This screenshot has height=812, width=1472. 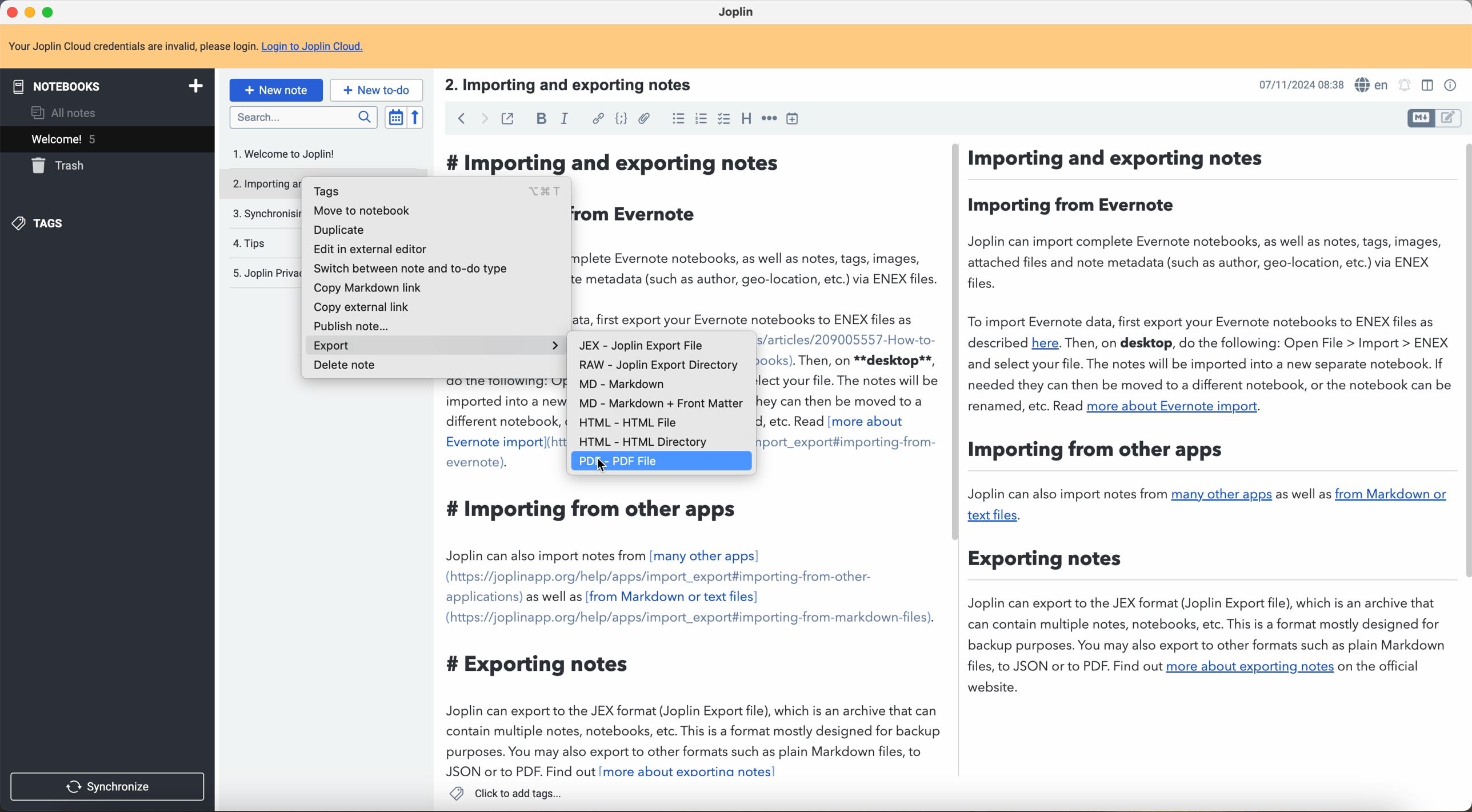 What do you see at coordinates (440, 346) in the screenshot?
I see `export` at bounding box center [440, 346].